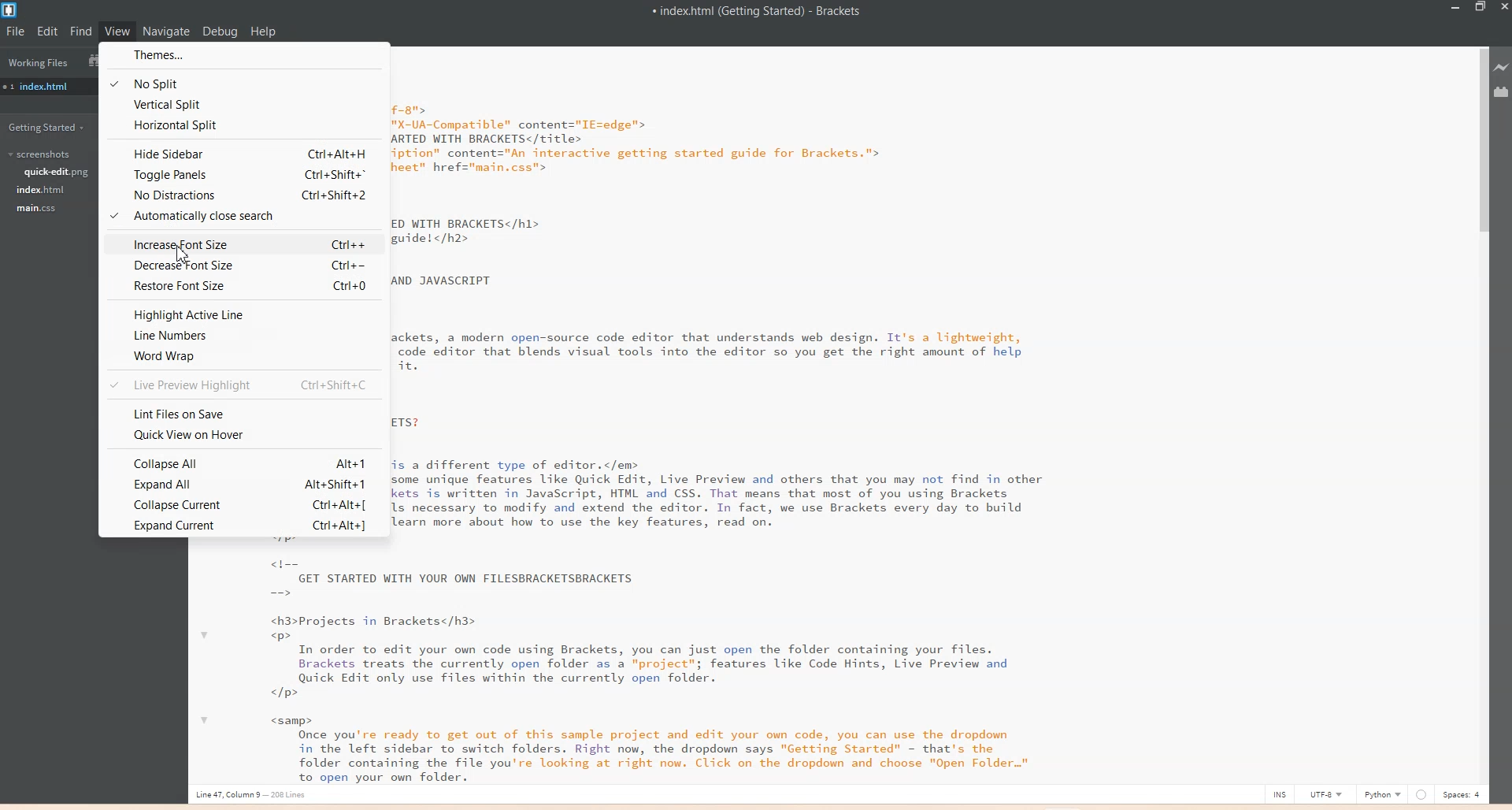  I want to click on Themes, so click(242, 54).